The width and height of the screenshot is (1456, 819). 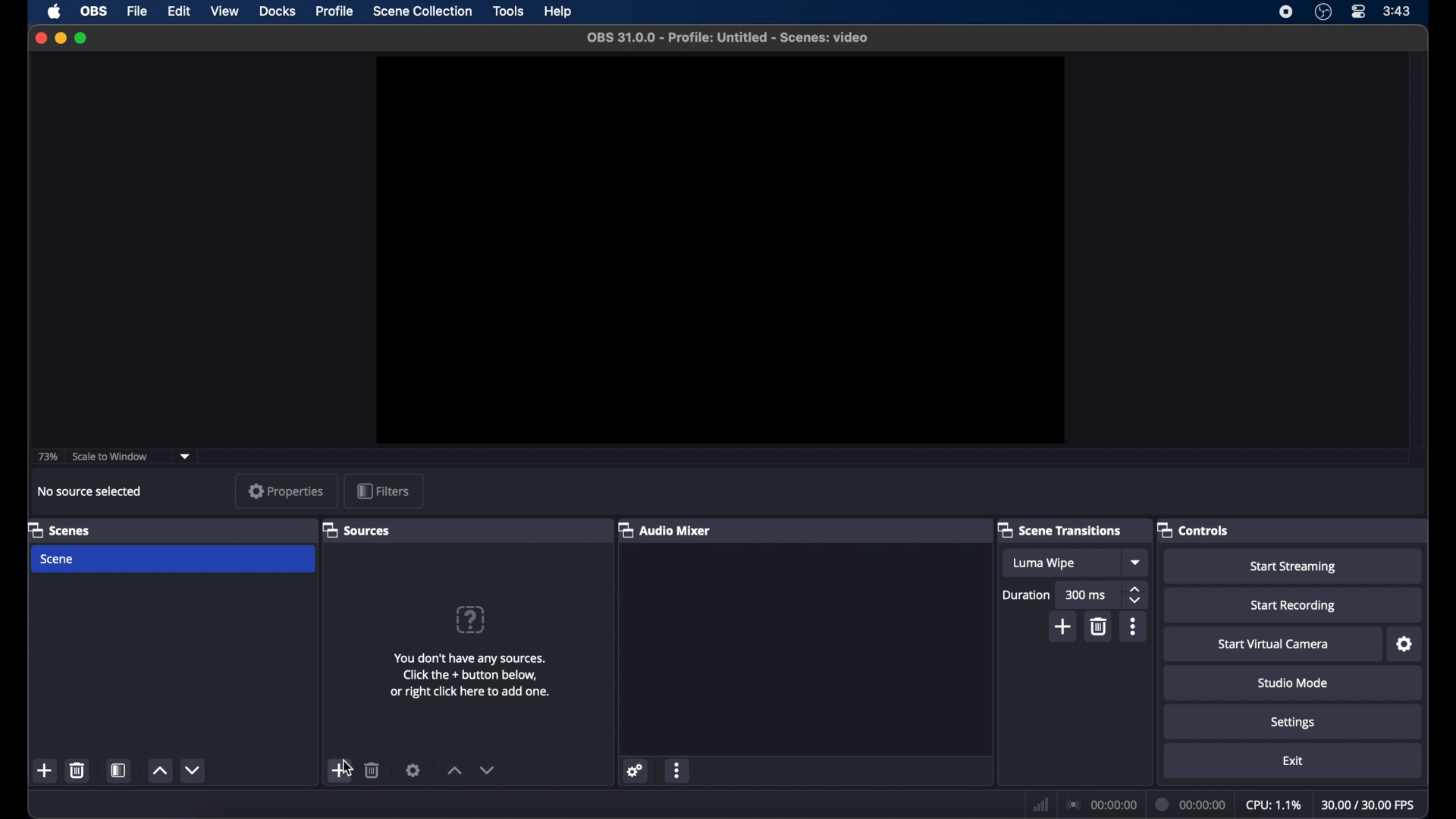 What do you see at coordinates (1134, 626) in the screenshot?
I see `more options` at bounding box center [1134, 626].